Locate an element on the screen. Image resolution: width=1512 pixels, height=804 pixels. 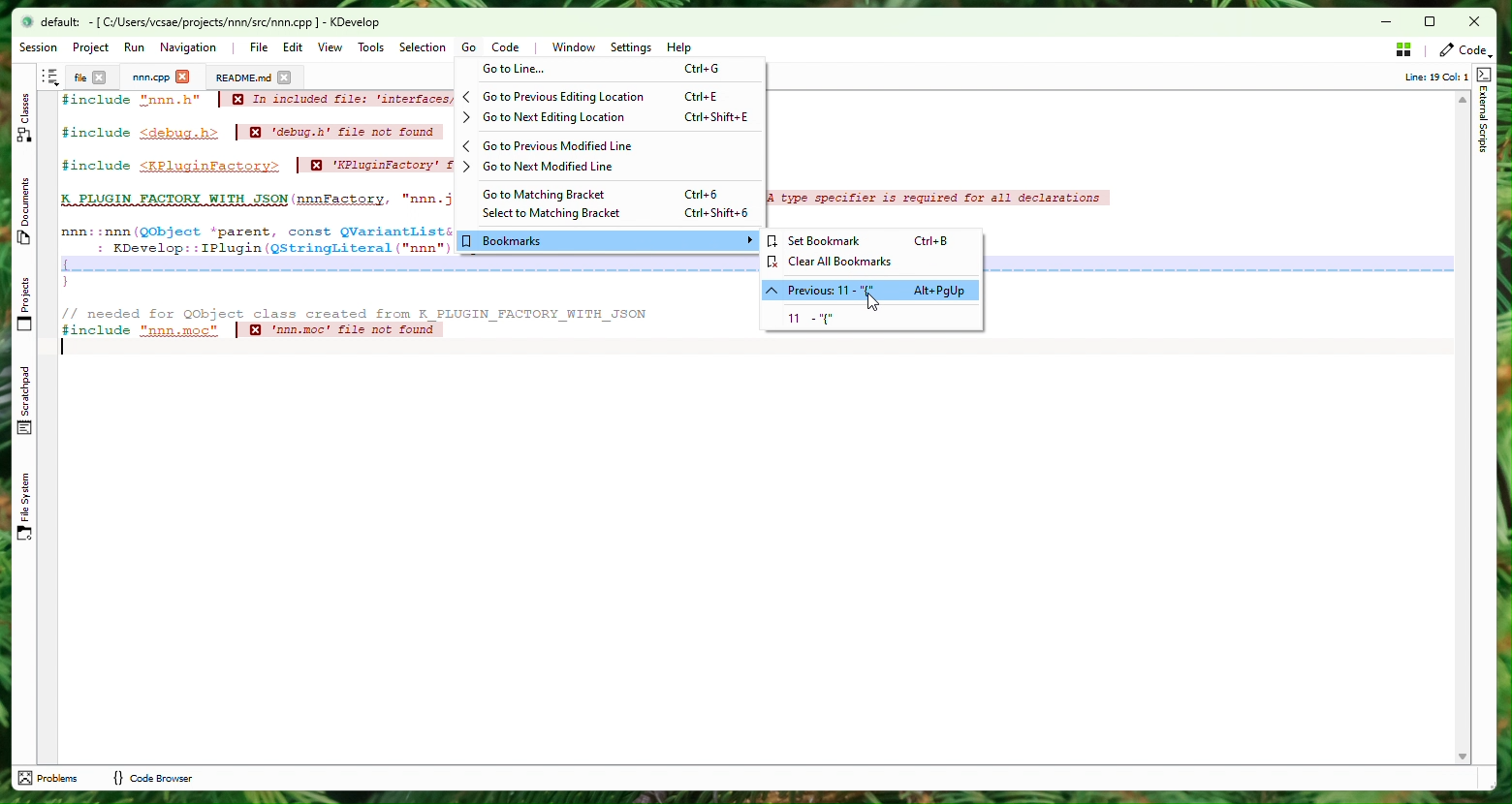
Edit is located at coordinates (294, 47).